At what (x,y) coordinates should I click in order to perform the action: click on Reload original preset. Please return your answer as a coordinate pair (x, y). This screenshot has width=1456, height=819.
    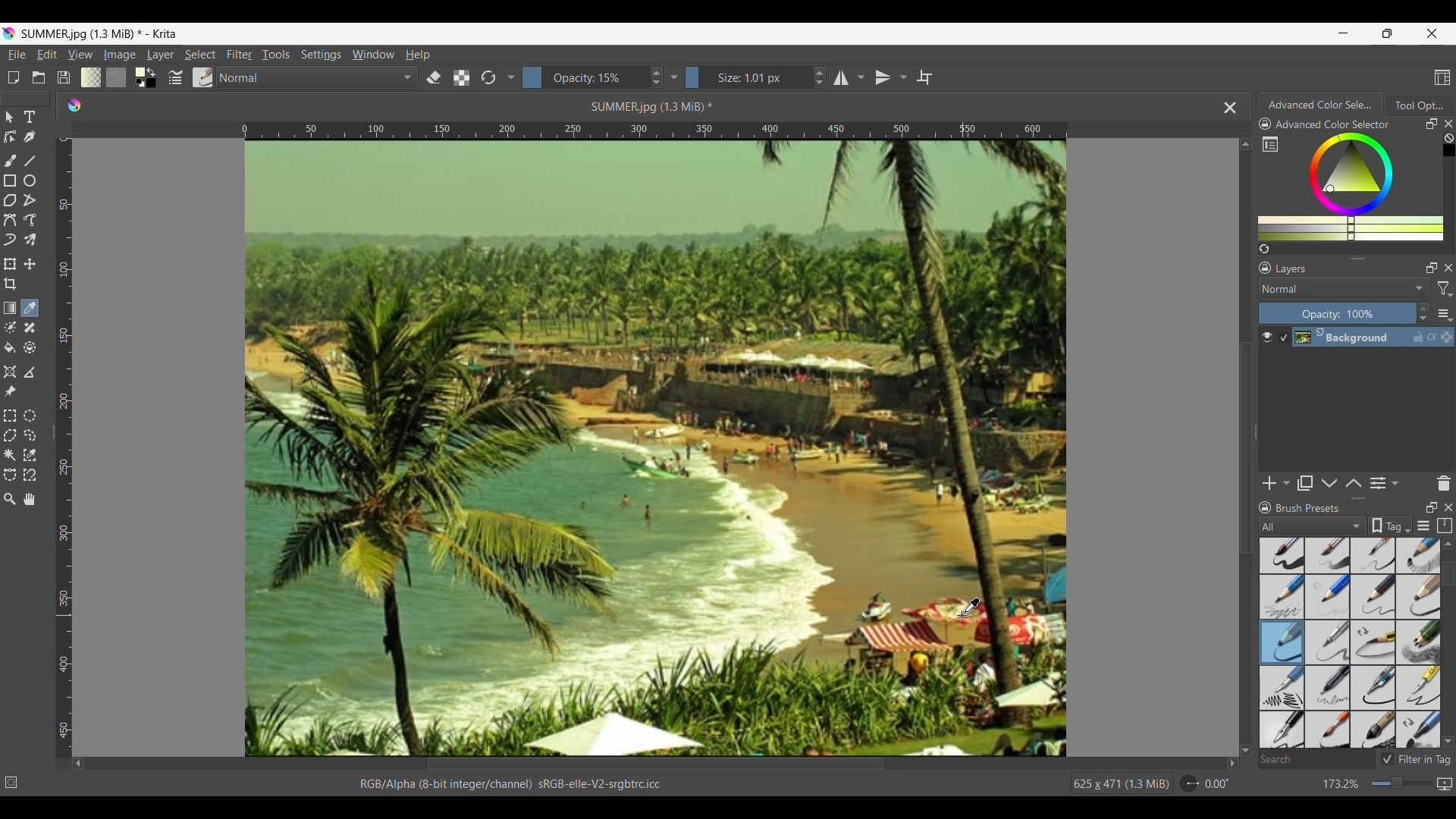
    Looking at the image, I should click on (488, 77).